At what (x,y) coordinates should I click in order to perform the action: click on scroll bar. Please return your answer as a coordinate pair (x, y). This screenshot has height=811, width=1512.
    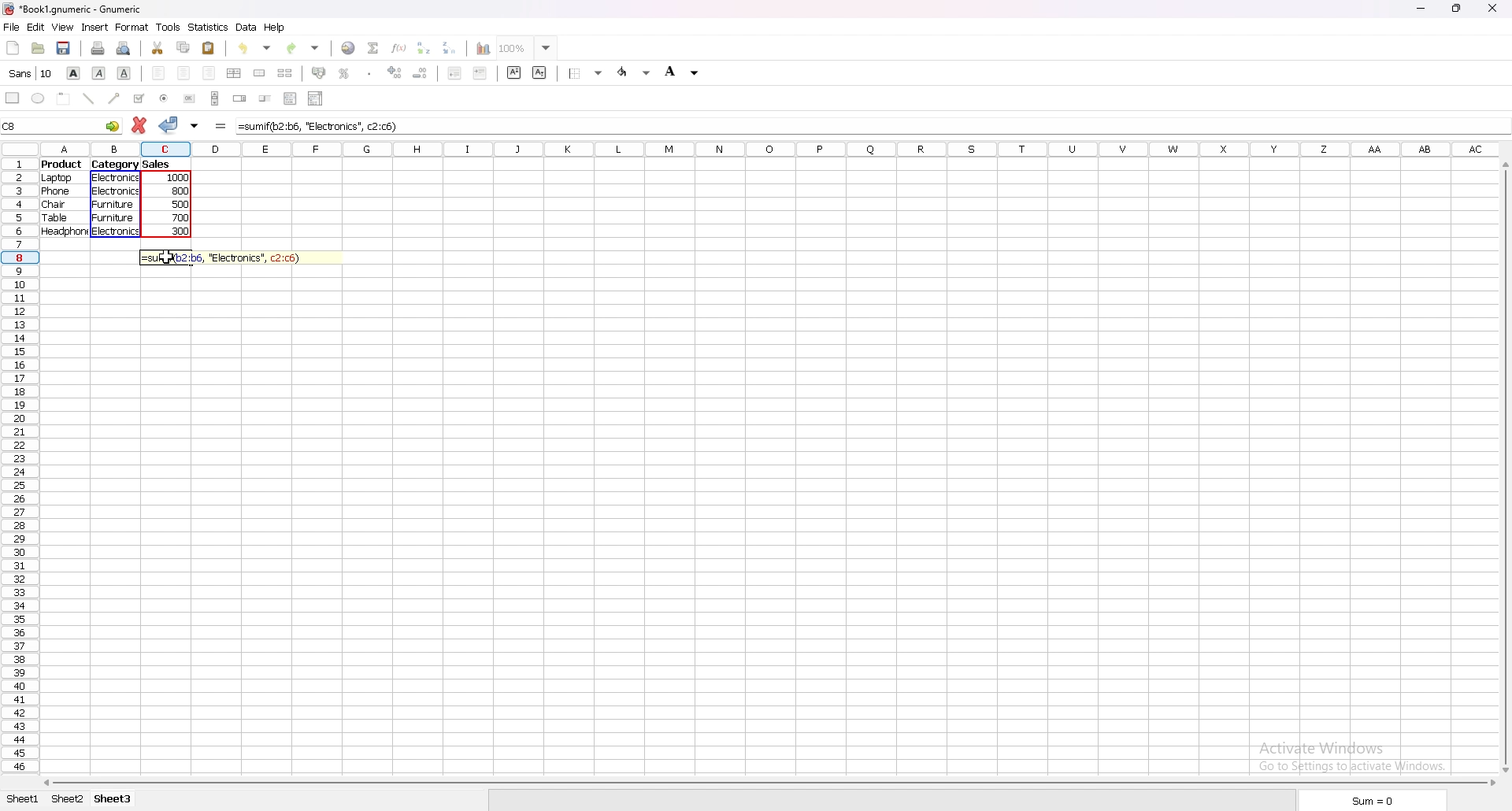
    Looking at the image, I should click on (1506, 465).